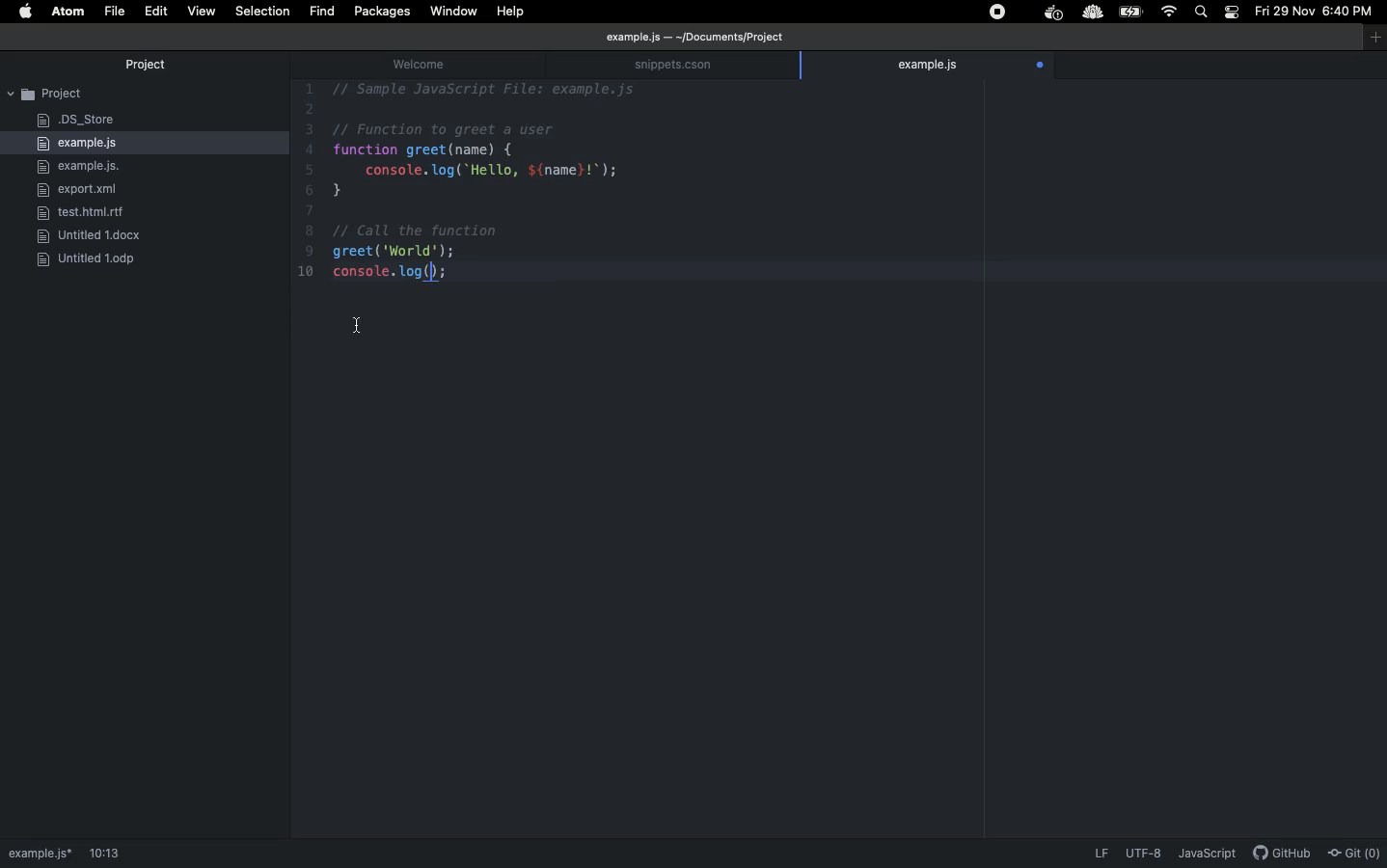 The image size is (1387, 868). What do you see at coordinates (385, 14) in the screenshot?
I see `Packages` at bounding box center [385, 14].